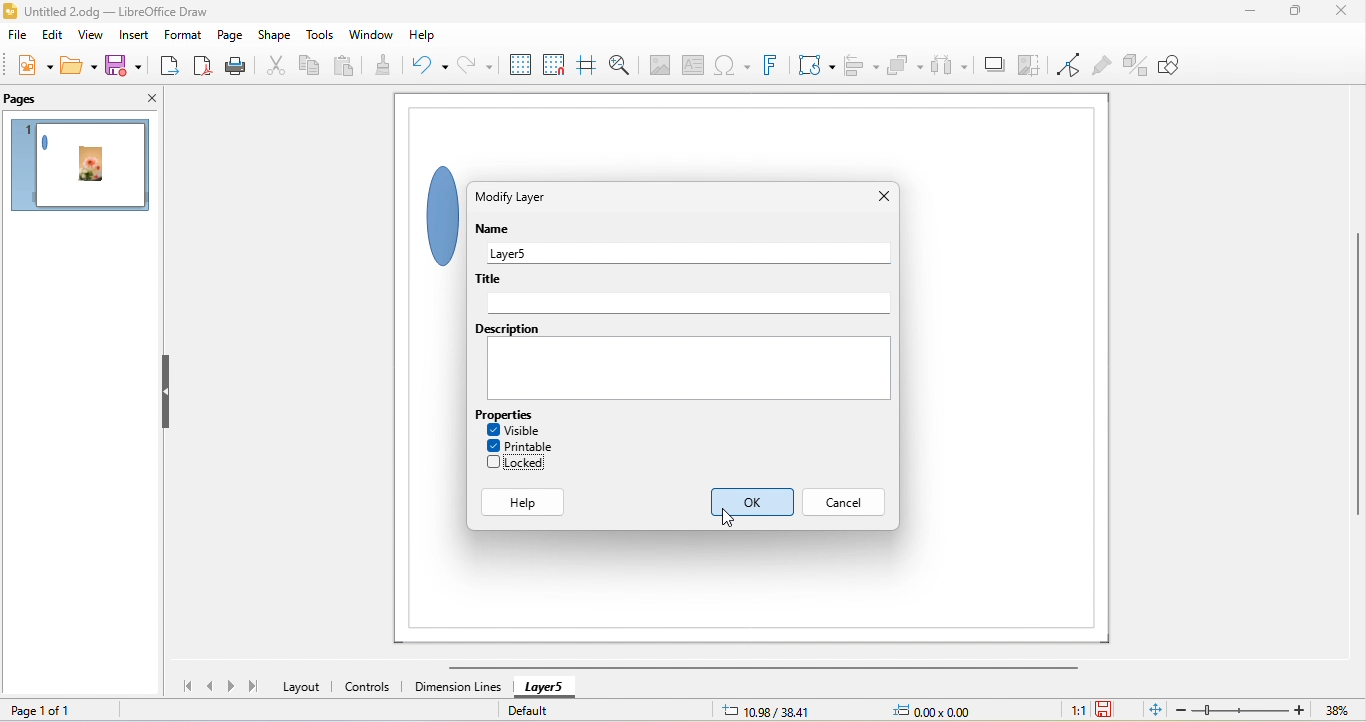 The height and width of the screenshot is (722, 1366). Describe the element at coordinates (857, 63) in the screenshot. I see `align object` at that location.